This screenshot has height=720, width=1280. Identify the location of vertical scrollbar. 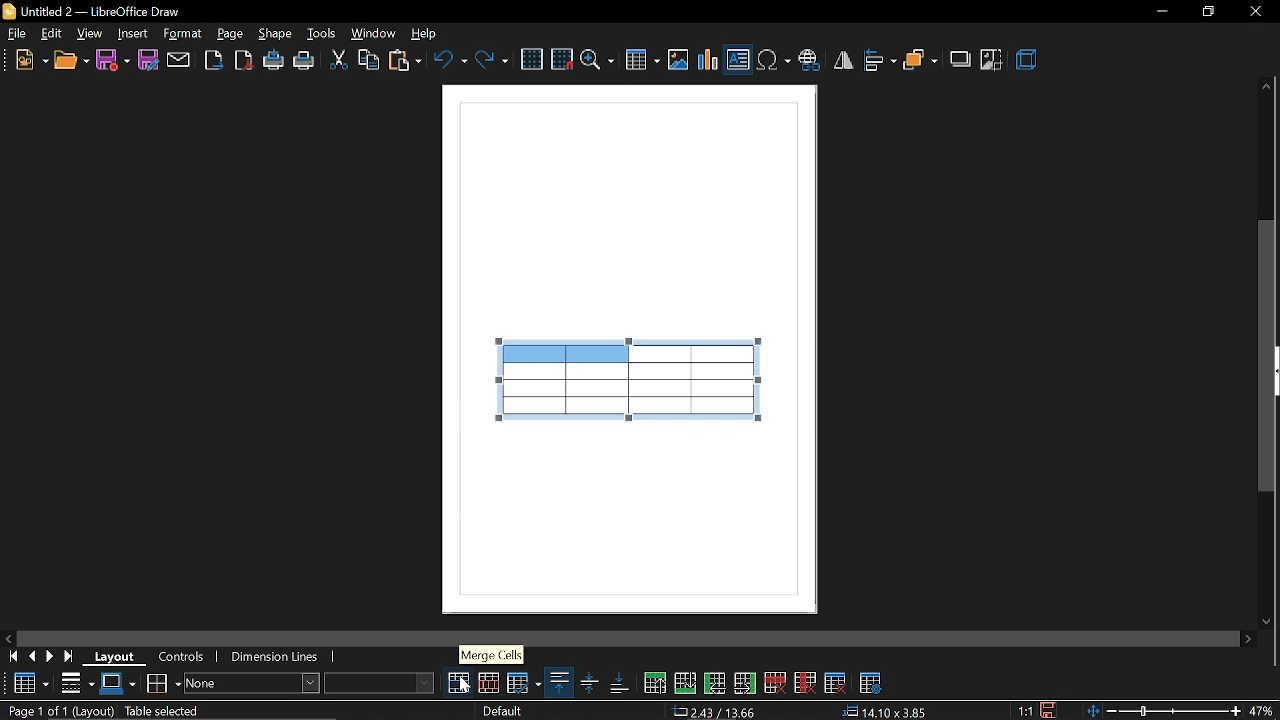
(1267, 356).